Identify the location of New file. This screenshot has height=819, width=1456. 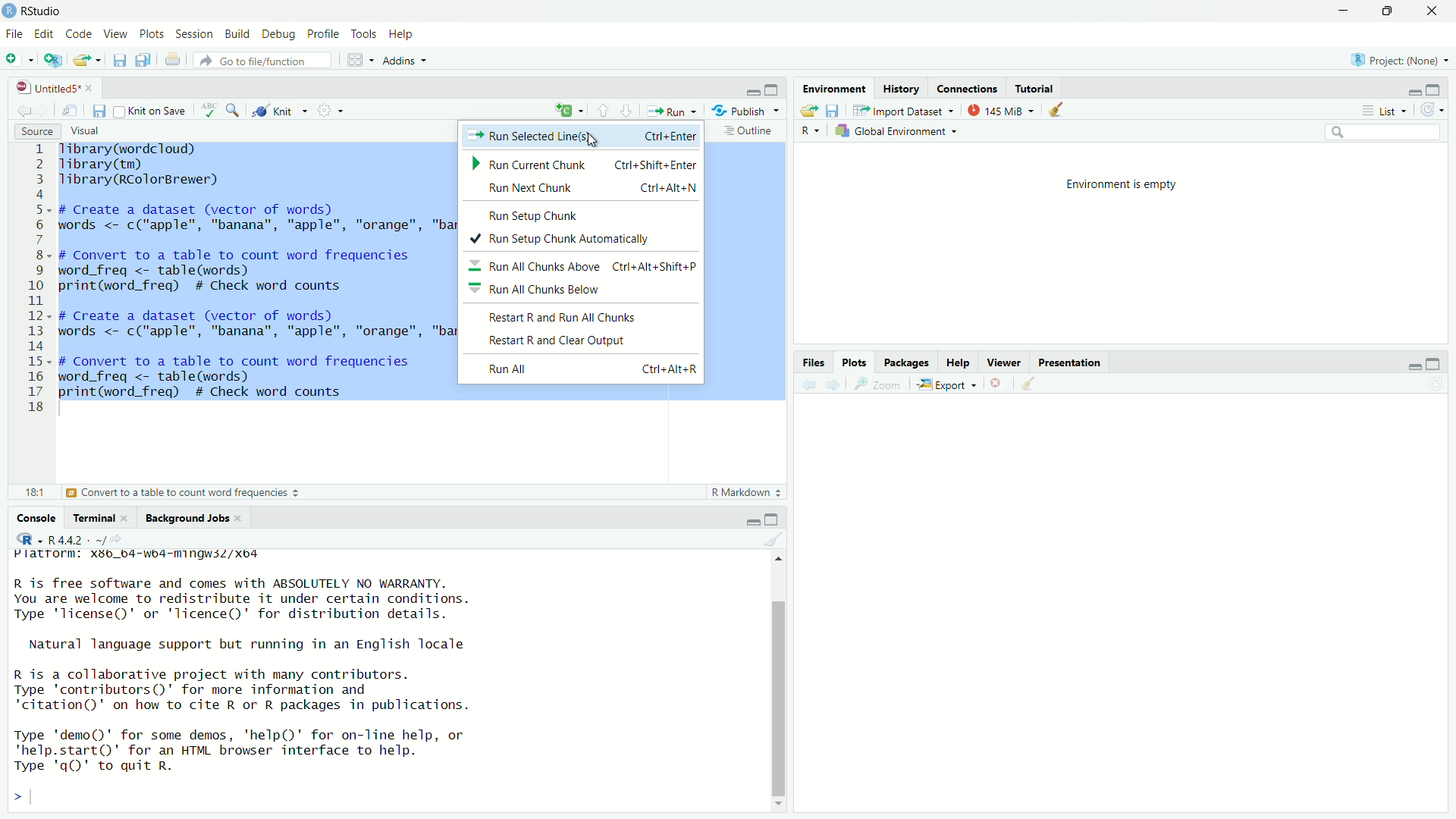
(20, 58).